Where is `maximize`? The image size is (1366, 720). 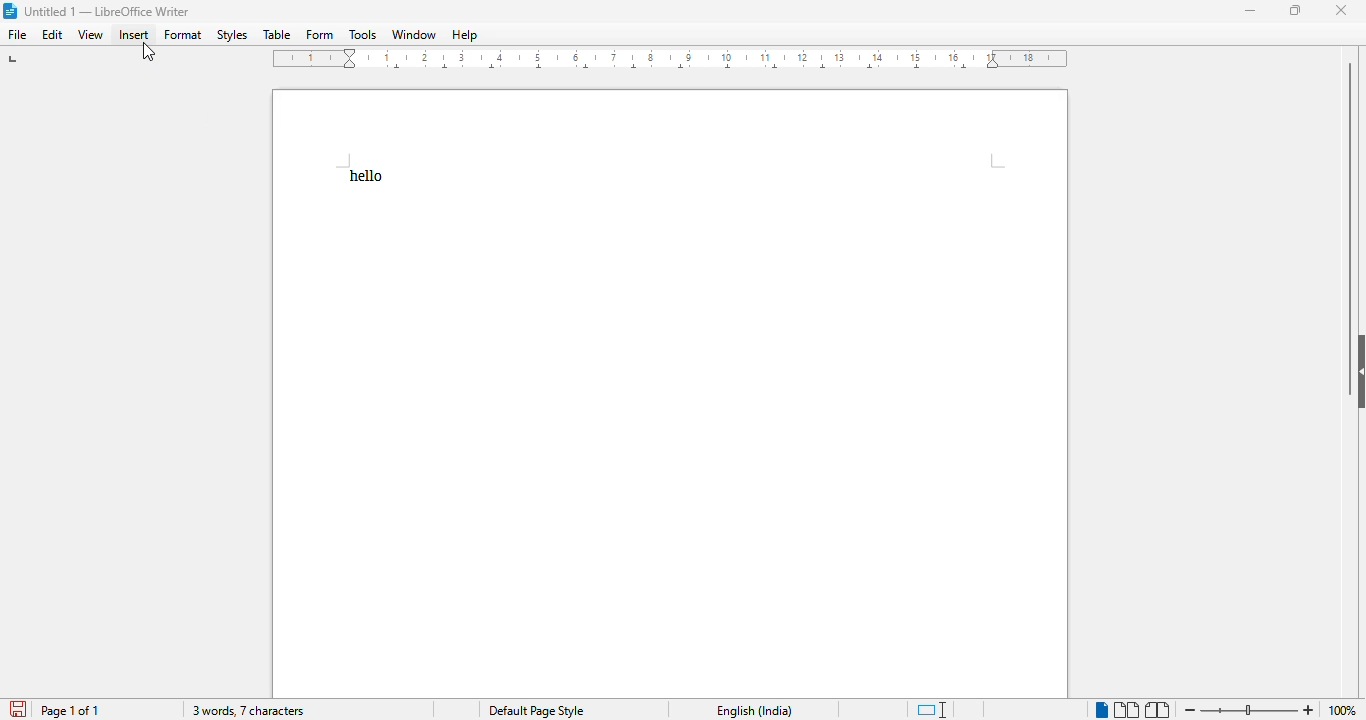
maximize is located at coordinates (1297, 11).